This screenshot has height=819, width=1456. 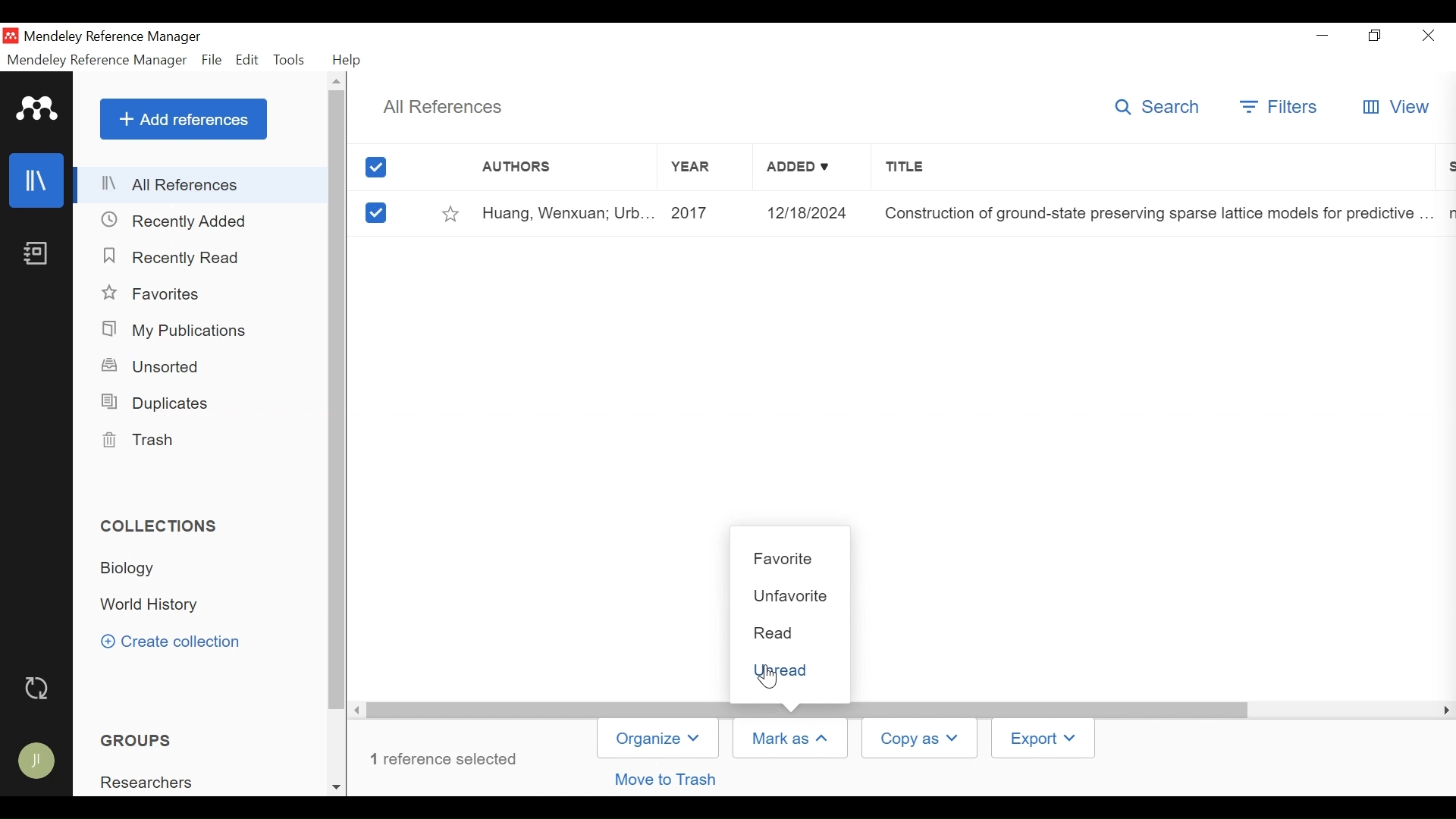 I want to click on Mark as, so click(x=791, y=739).